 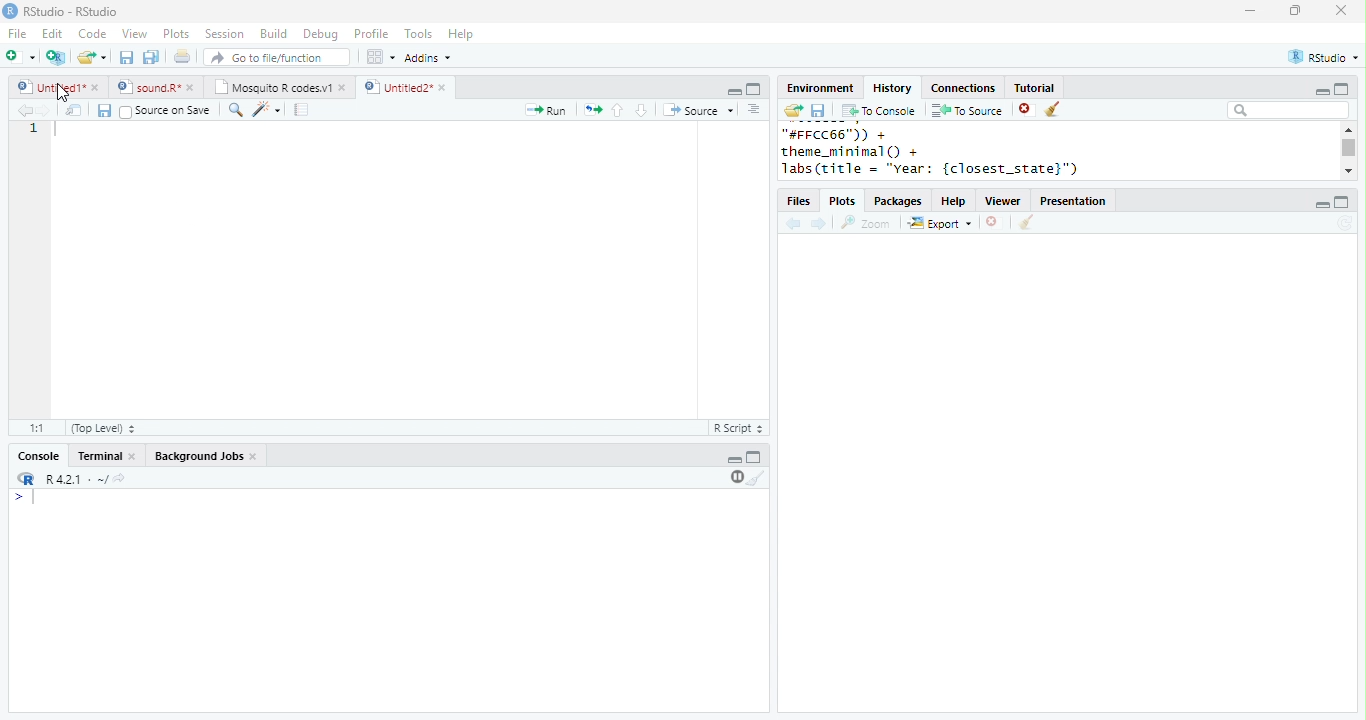 What do you see at coordinates (1341, 10) in the screenshot?
I see `close` at bounding box center [1341, 10].